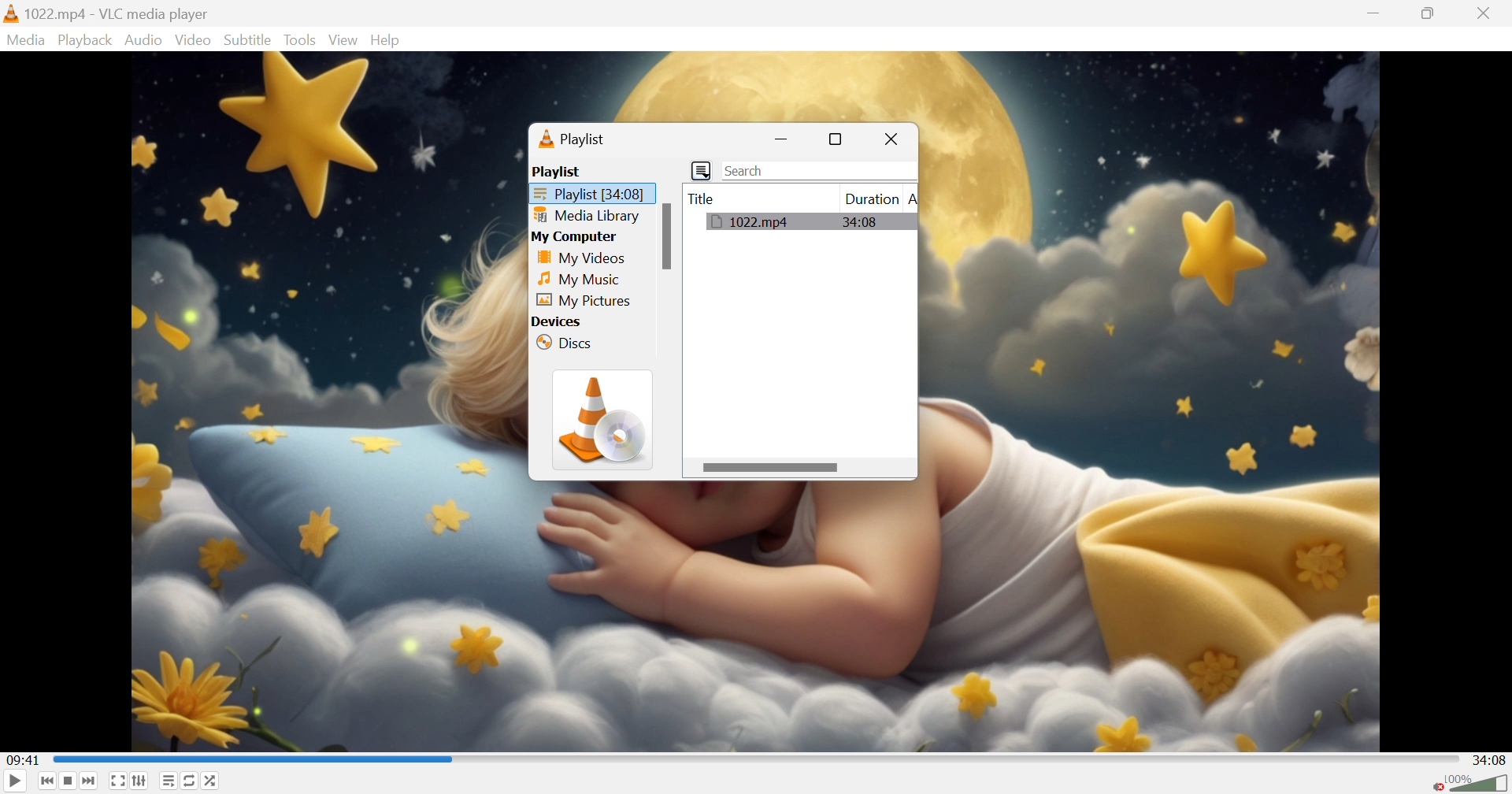  What do you see at coordinates (1436, 783) in the screenshot?
I see `Unmute` at bounding box center [1436, 783].